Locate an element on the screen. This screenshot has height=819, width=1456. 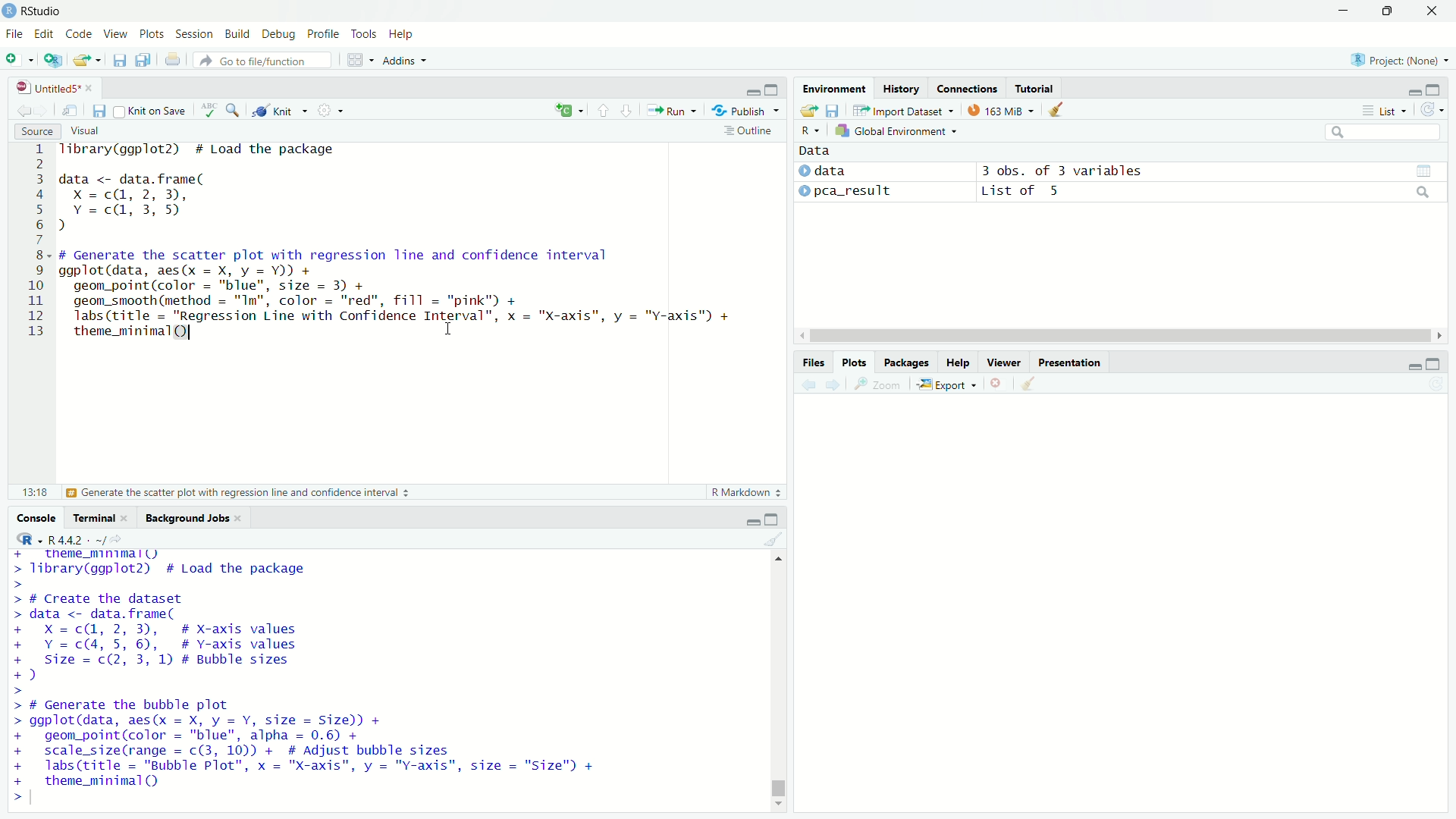
+ _ theme_mnimall)

> library(ggplot2) # Load the package

>

> # Create the dataset

> data <- data.frame(

+ X=c@, 2,3), # X-axis values

+ Y=c(4, 5, 6), # Y-axis values

+ Size = c(2, 3, 1) # Bubble sizes

+)

>

> # Generate the bubble plot

> ggplot(data, aes(x = X, y = Y, size = Size)) +

+ geom_point(color = "blue", alpha = 0.6) +

+ scale_size(range = c(3, 10)) + # Adjust bubble sizes
+ labs(title = "Bubble Plot", x = "X-axis", y = "Y-axis", size = "Size") +
+ theme_minimal()

> is located at coordinates (309, 677).